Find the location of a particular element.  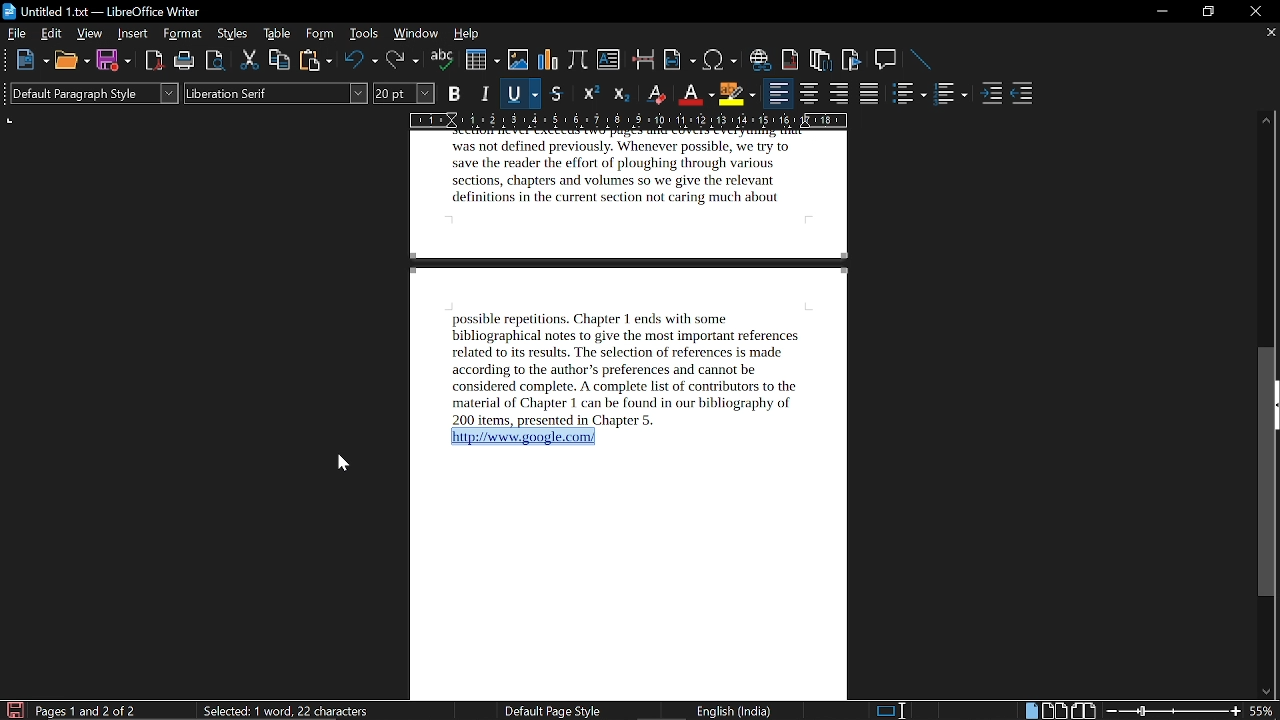

eraser is located at coordinates (657, 93).